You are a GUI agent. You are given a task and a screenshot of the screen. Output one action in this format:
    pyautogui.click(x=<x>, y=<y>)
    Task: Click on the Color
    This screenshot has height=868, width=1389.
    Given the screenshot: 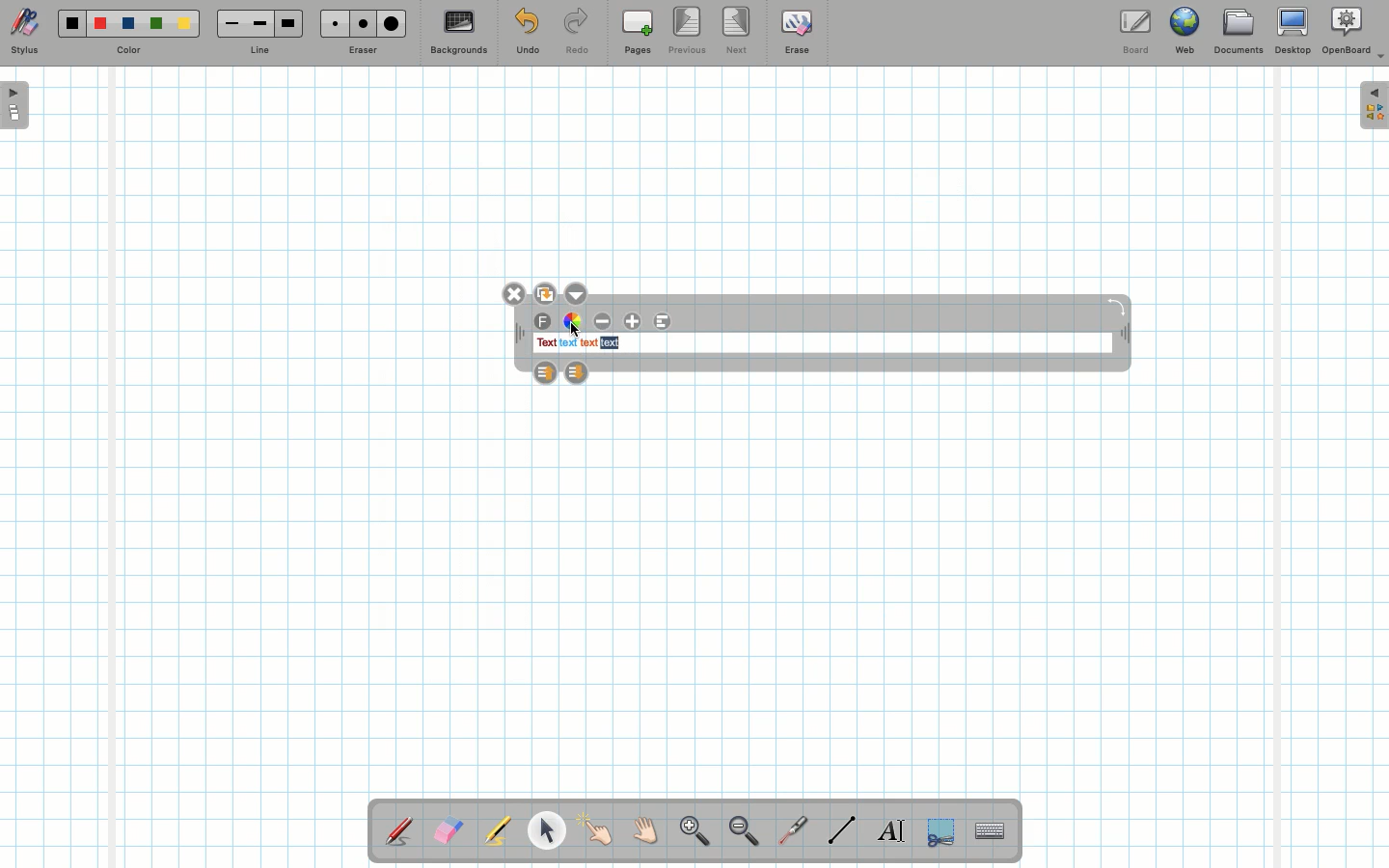 What is the action you would take?
    pyautogui.click(x=126, y=51)
    